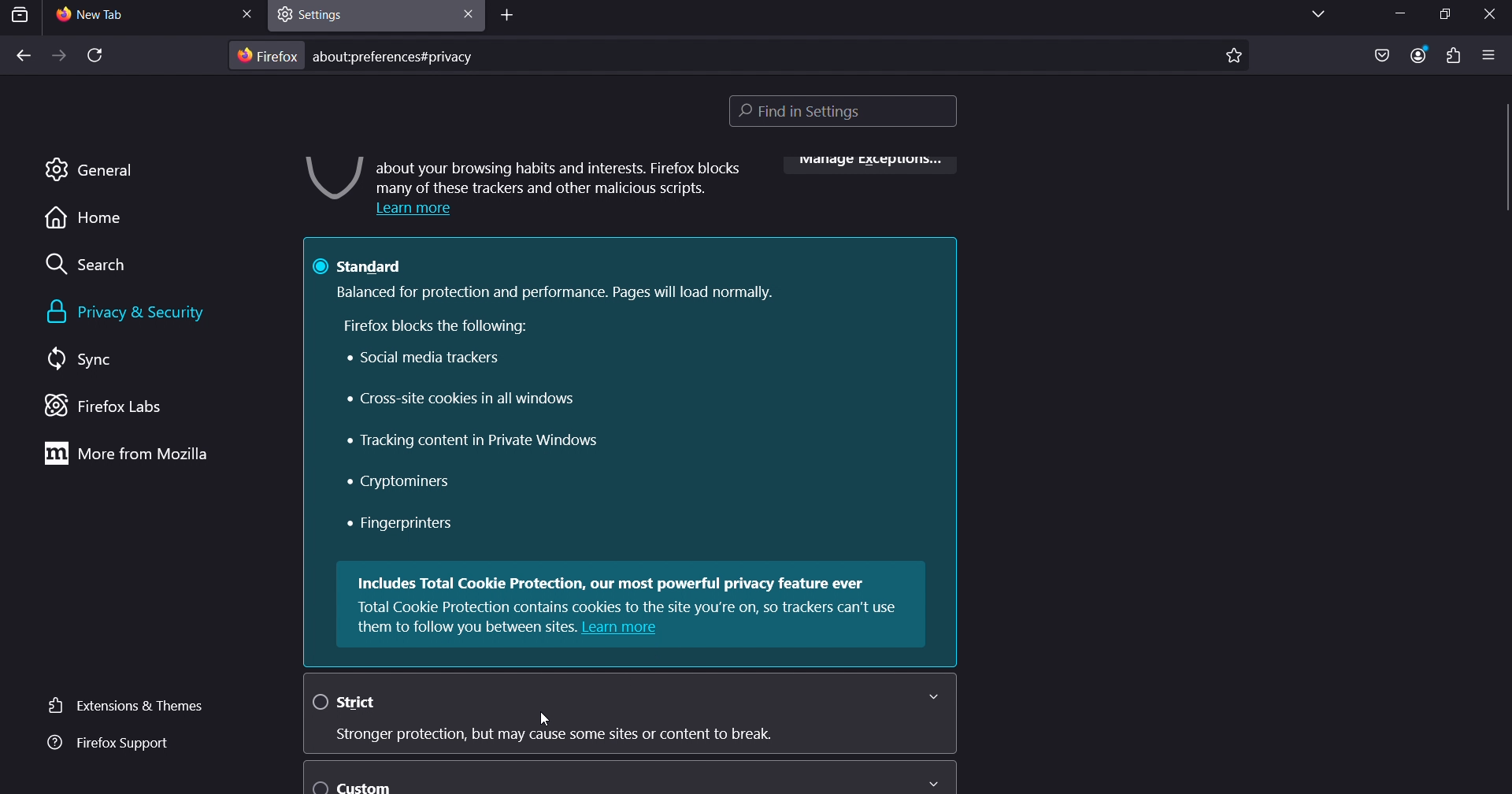 This screenshot has width=1512, height=794. What do you see at coordinates (57, 57) in the screenshot?
I see `forward one page` at bounding box center [57, 57].